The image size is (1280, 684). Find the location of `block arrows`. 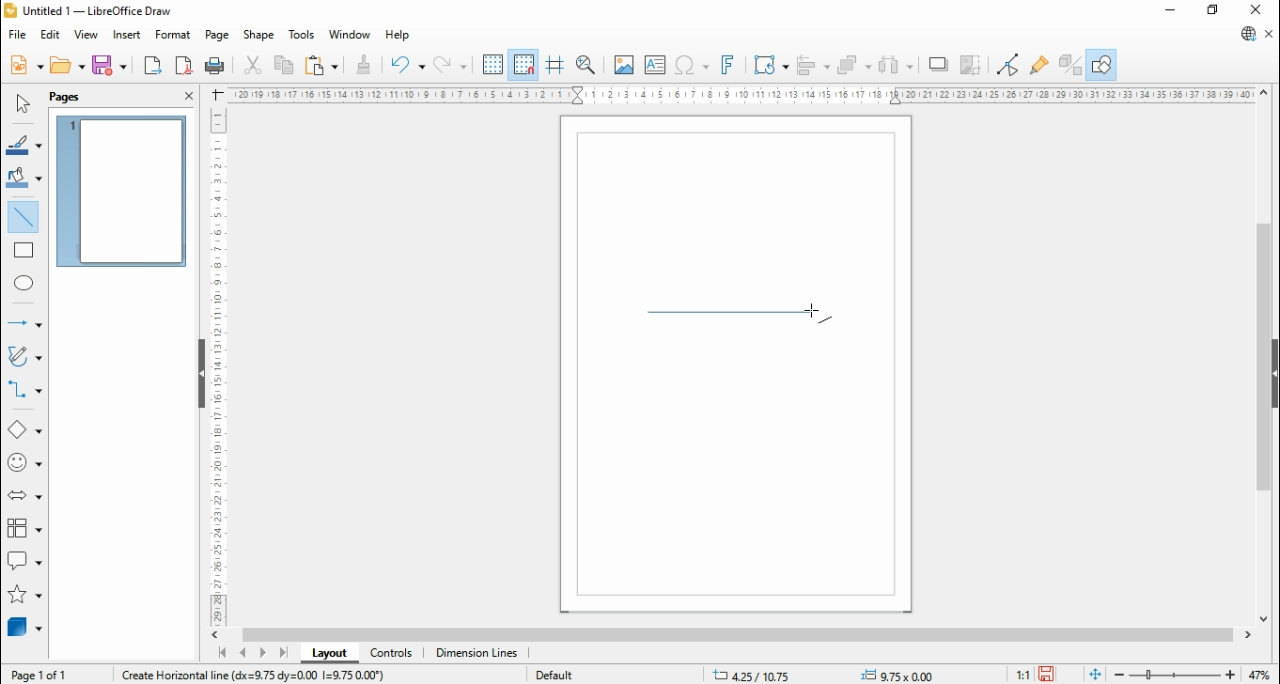

block arrows is located at coordinates (24, 496).